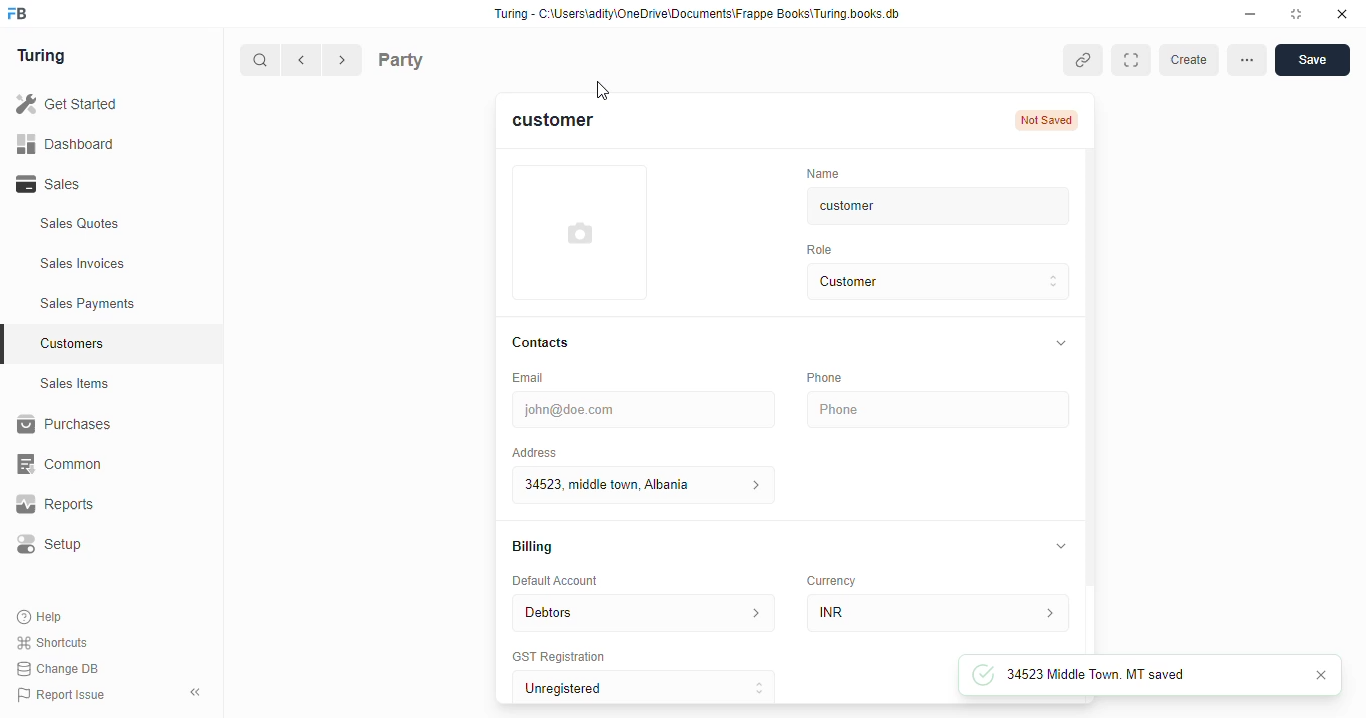  What do you see at coordinates (821, 172) in the screenshot?
I see `‘Name` at bounding box center [821, 172].